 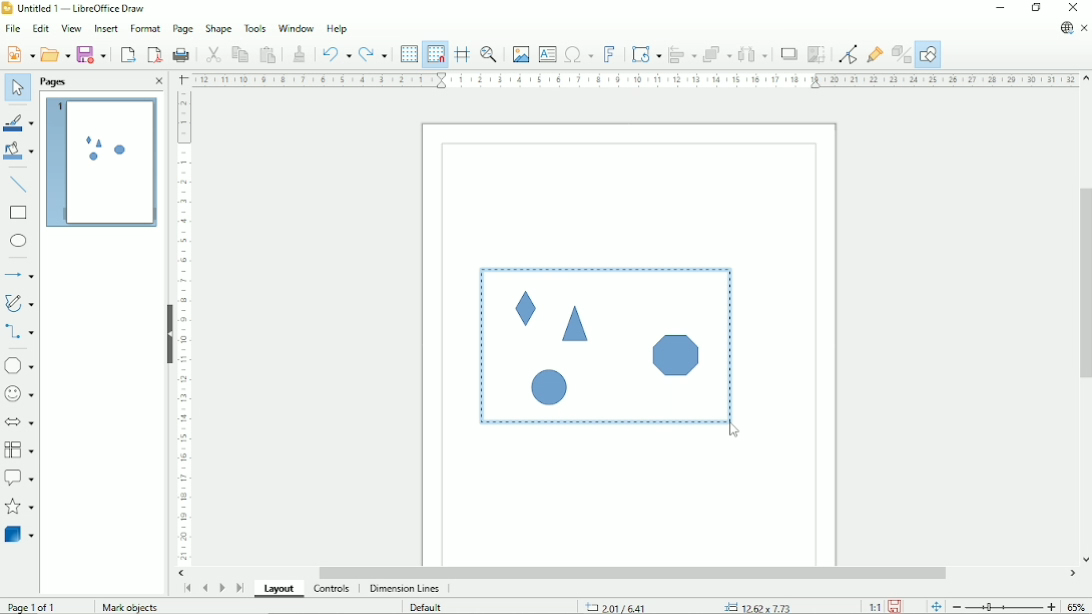 What do you see at coordinates (1002, 8) in the screenshot?
I see `Minimize` at bounding box center [1002, 8].